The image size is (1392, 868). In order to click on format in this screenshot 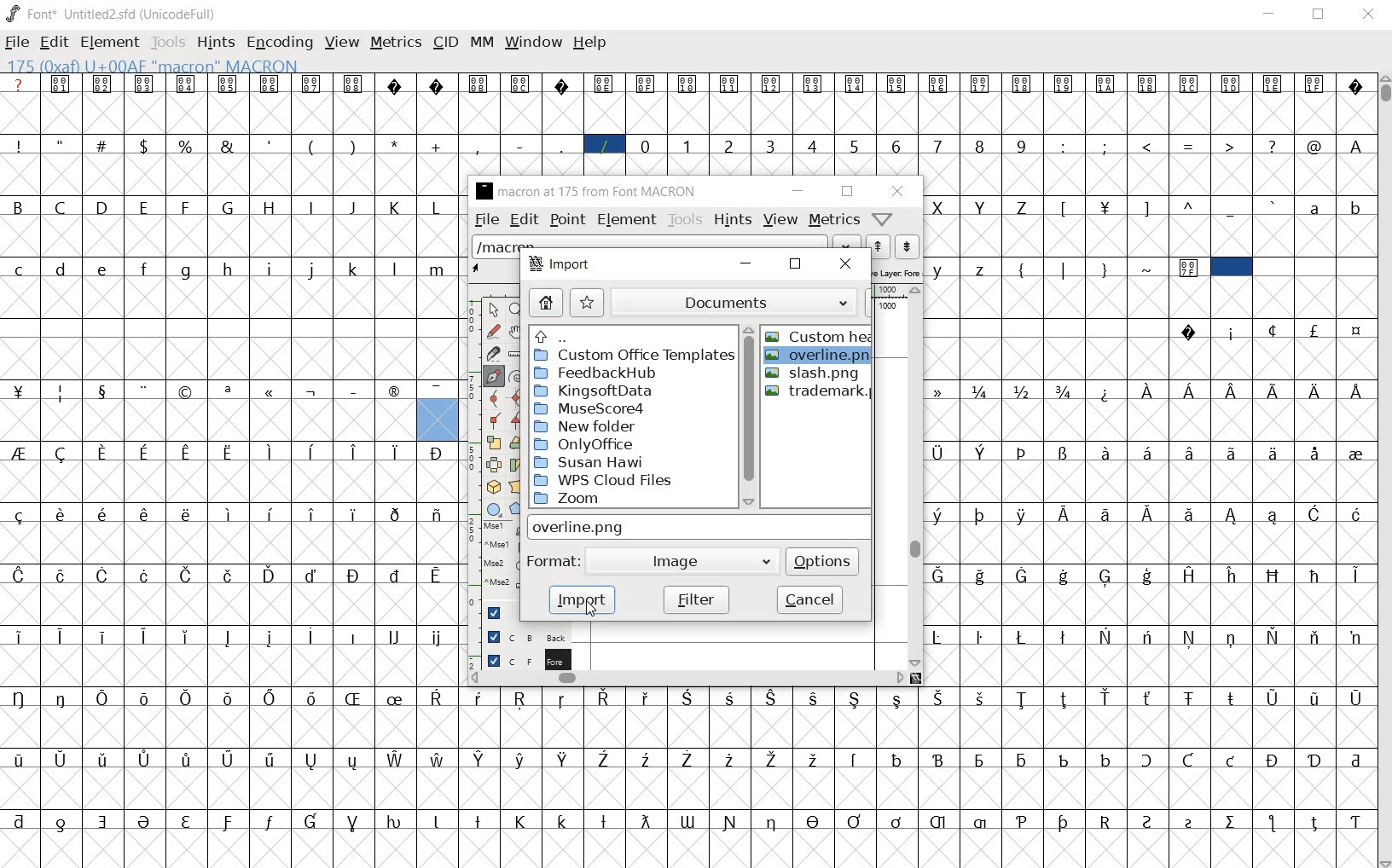, I will do `click(554, 558)`.